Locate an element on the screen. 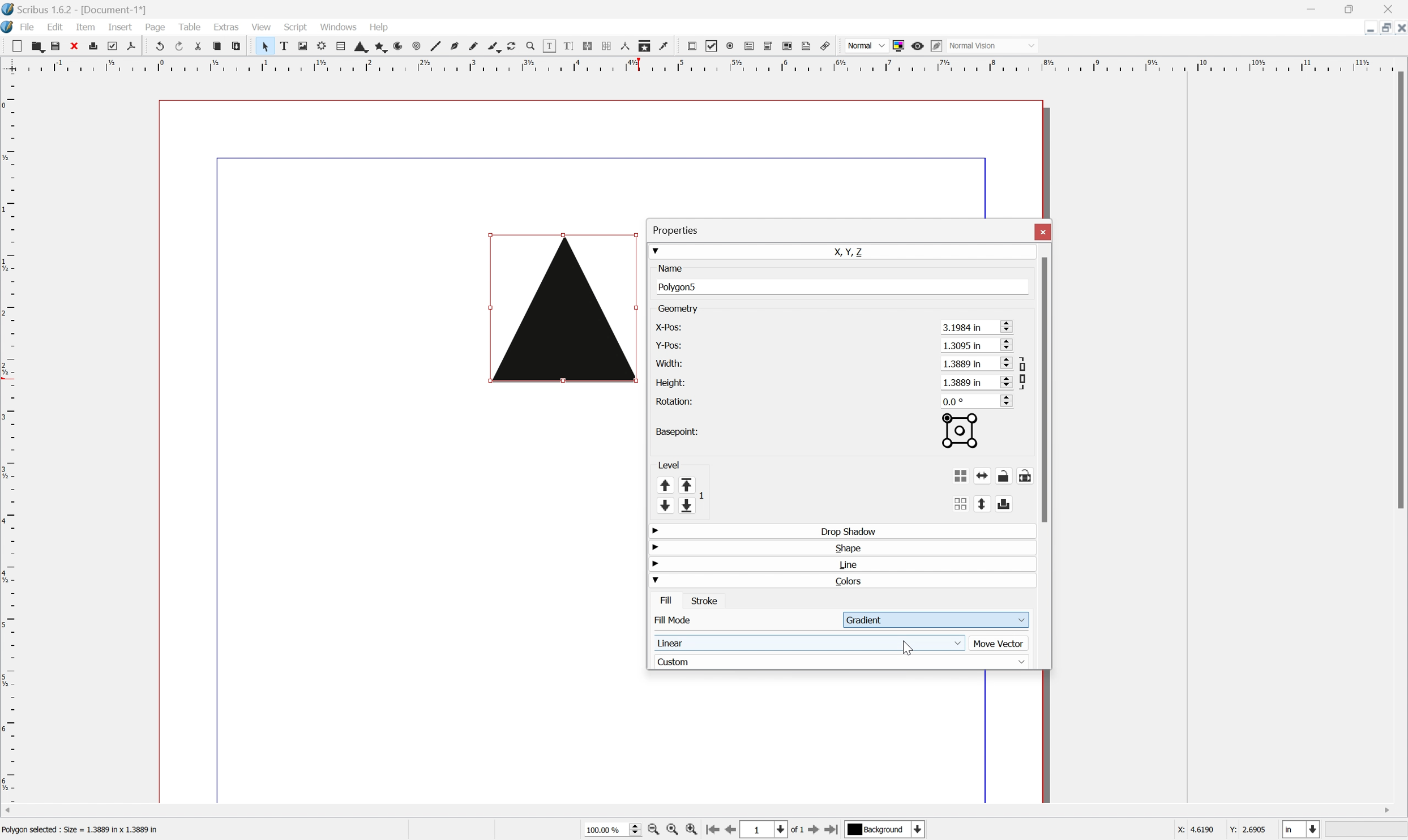 The height and width of the screenshot is (840, 1408). Scroll Left is located at coordinates (10, 810).